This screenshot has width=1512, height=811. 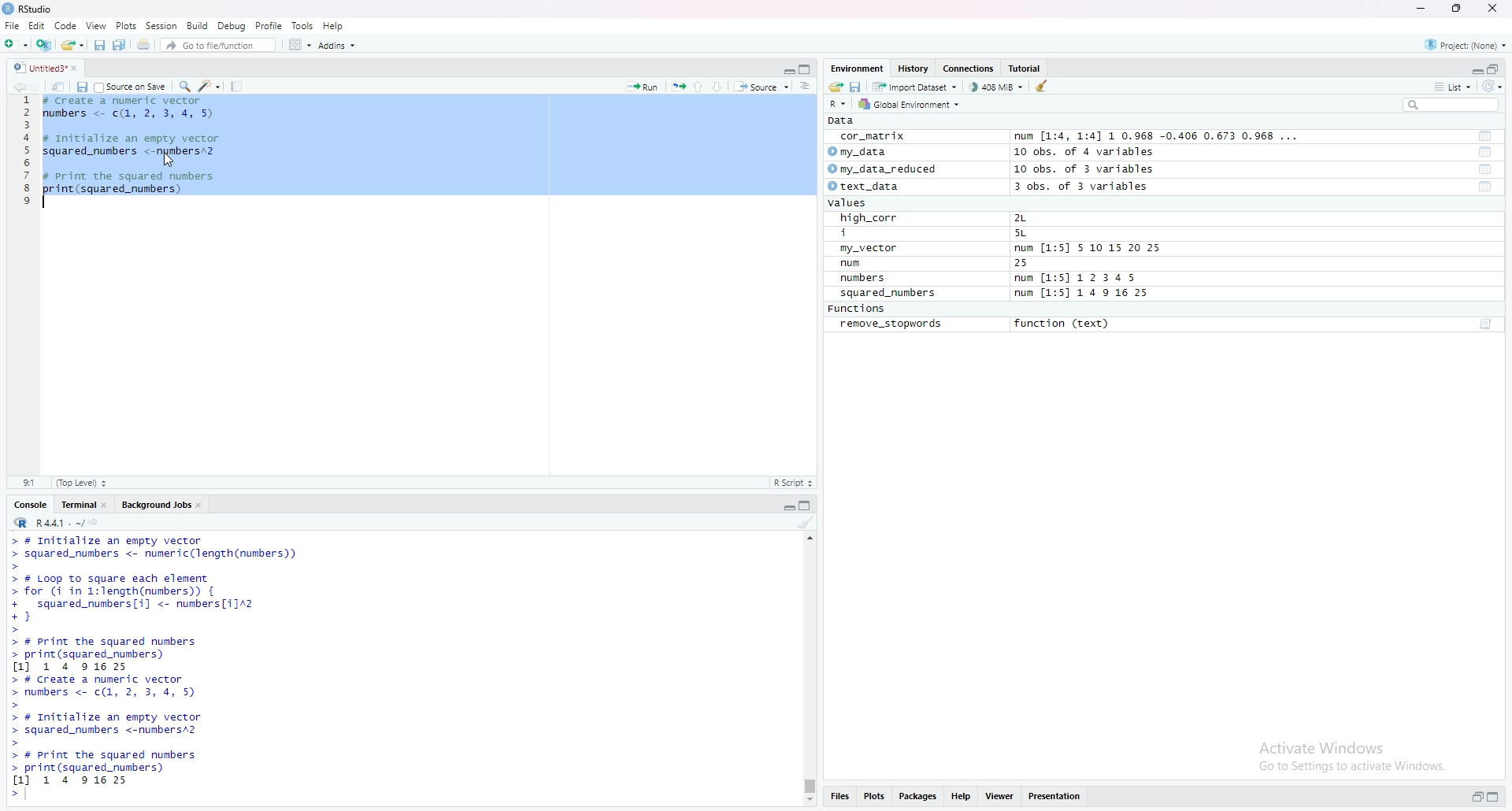 What do you see at coordinates (836, 85) in the screenshot?
I see `Load Workspace` at bounding box center [836, 85].